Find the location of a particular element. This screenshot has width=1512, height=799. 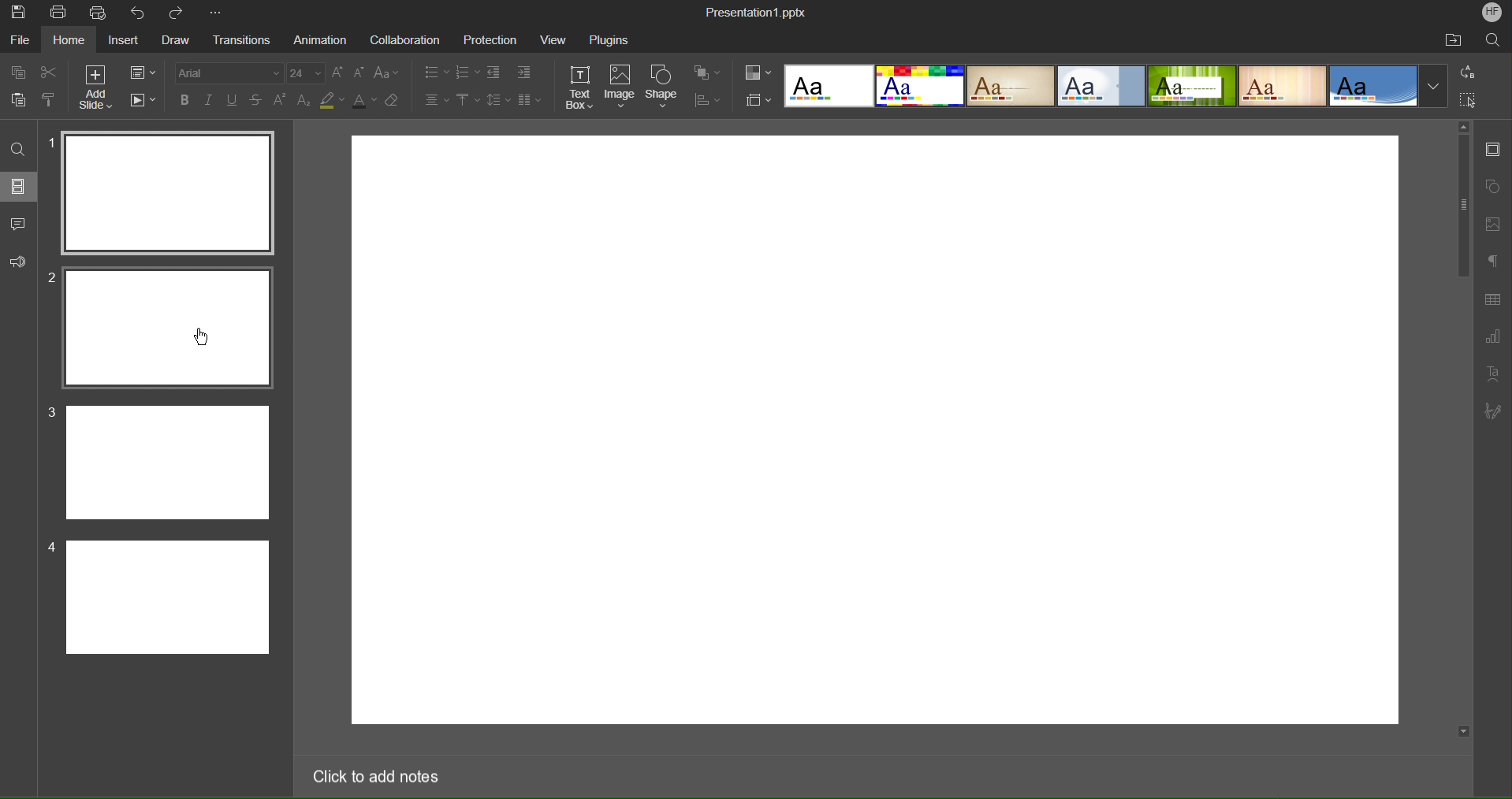

Print is located at coordinates (57, 12).